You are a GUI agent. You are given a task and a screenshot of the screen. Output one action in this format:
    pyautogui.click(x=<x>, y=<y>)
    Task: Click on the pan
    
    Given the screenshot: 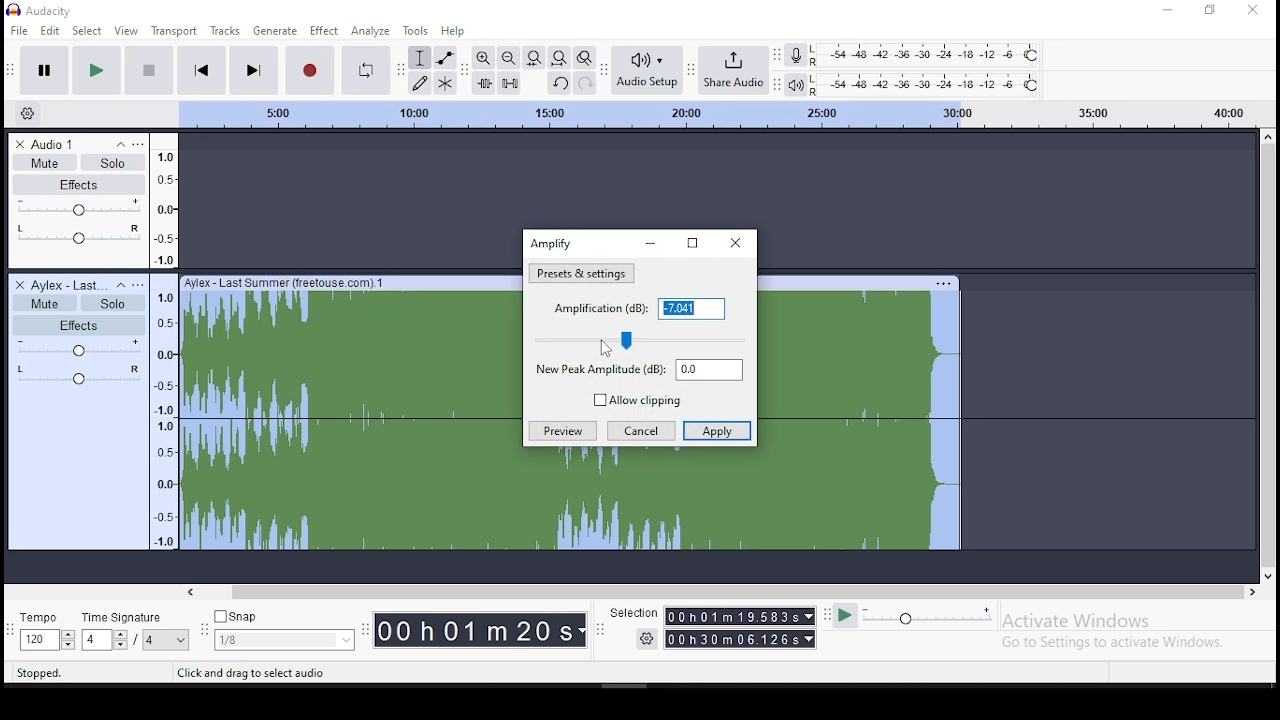 What is the action you would take?
    pyautogui.click(x=80, y=376)
    